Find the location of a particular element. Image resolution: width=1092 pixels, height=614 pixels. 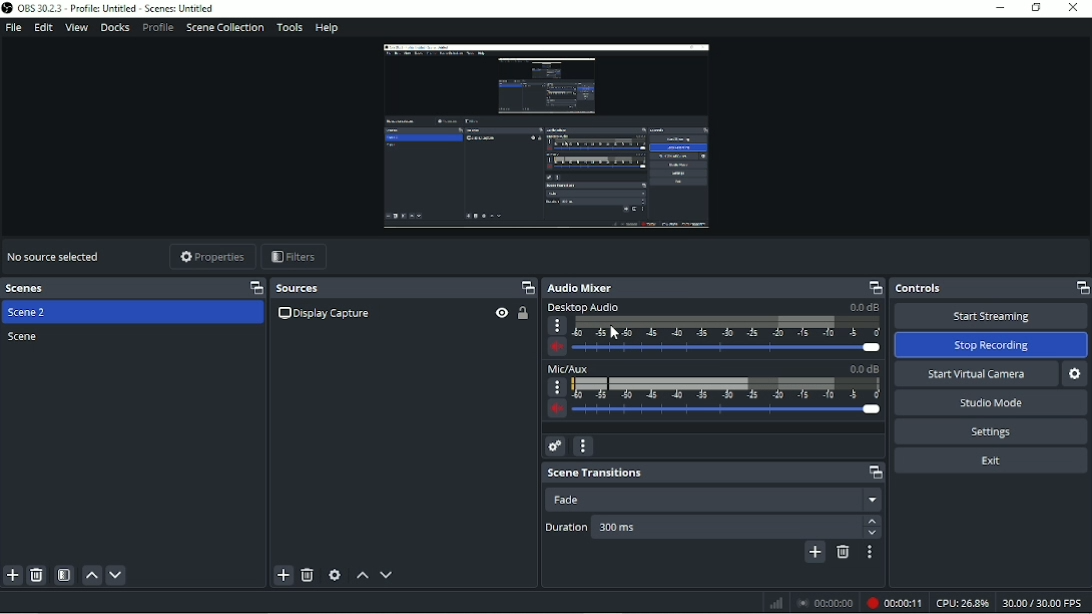

View is located at coordinates (77, 28).